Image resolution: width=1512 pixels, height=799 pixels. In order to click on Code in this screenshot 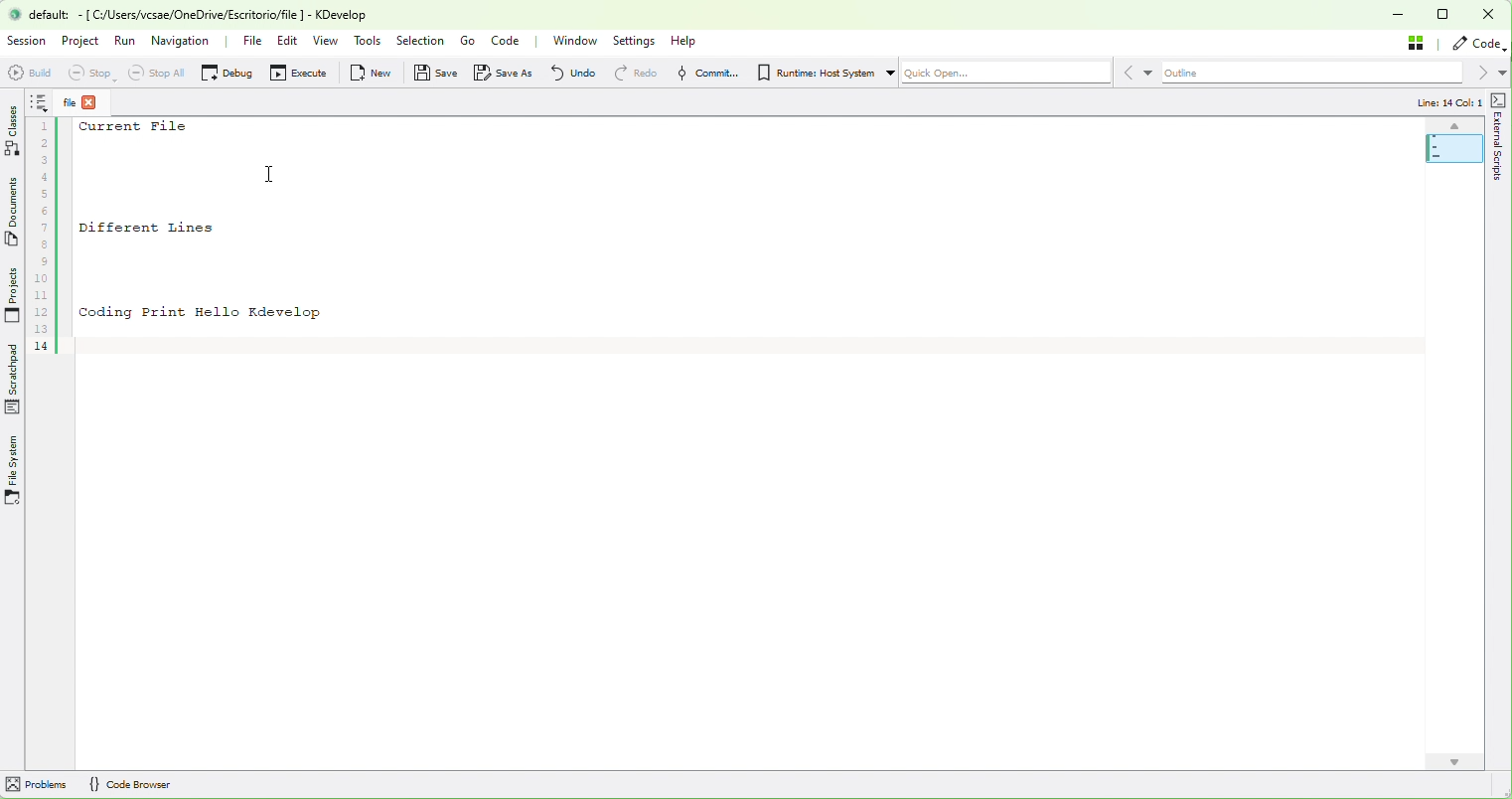, I will do `click(508, 42)`.